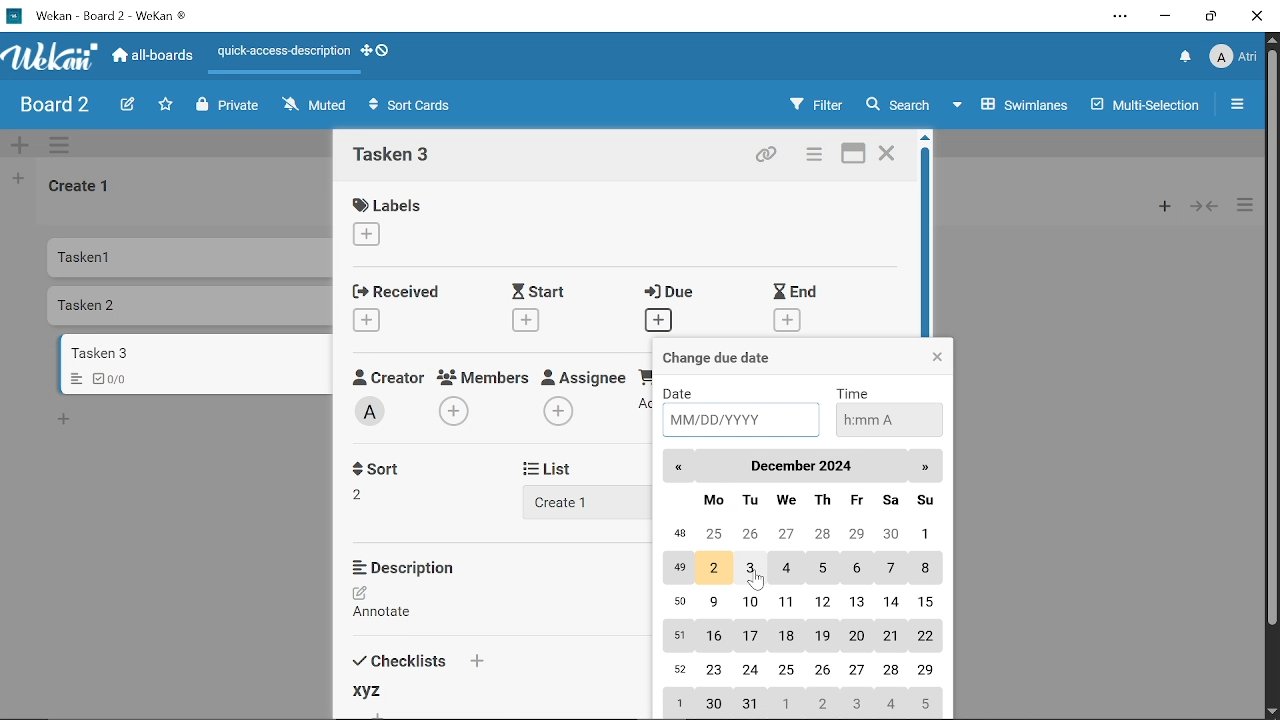 This screenshot has height=720, width=1280. What do you see at coordinates (757, 584) in the screenshot?
I see `cursor` at bounding box center [757, 584].